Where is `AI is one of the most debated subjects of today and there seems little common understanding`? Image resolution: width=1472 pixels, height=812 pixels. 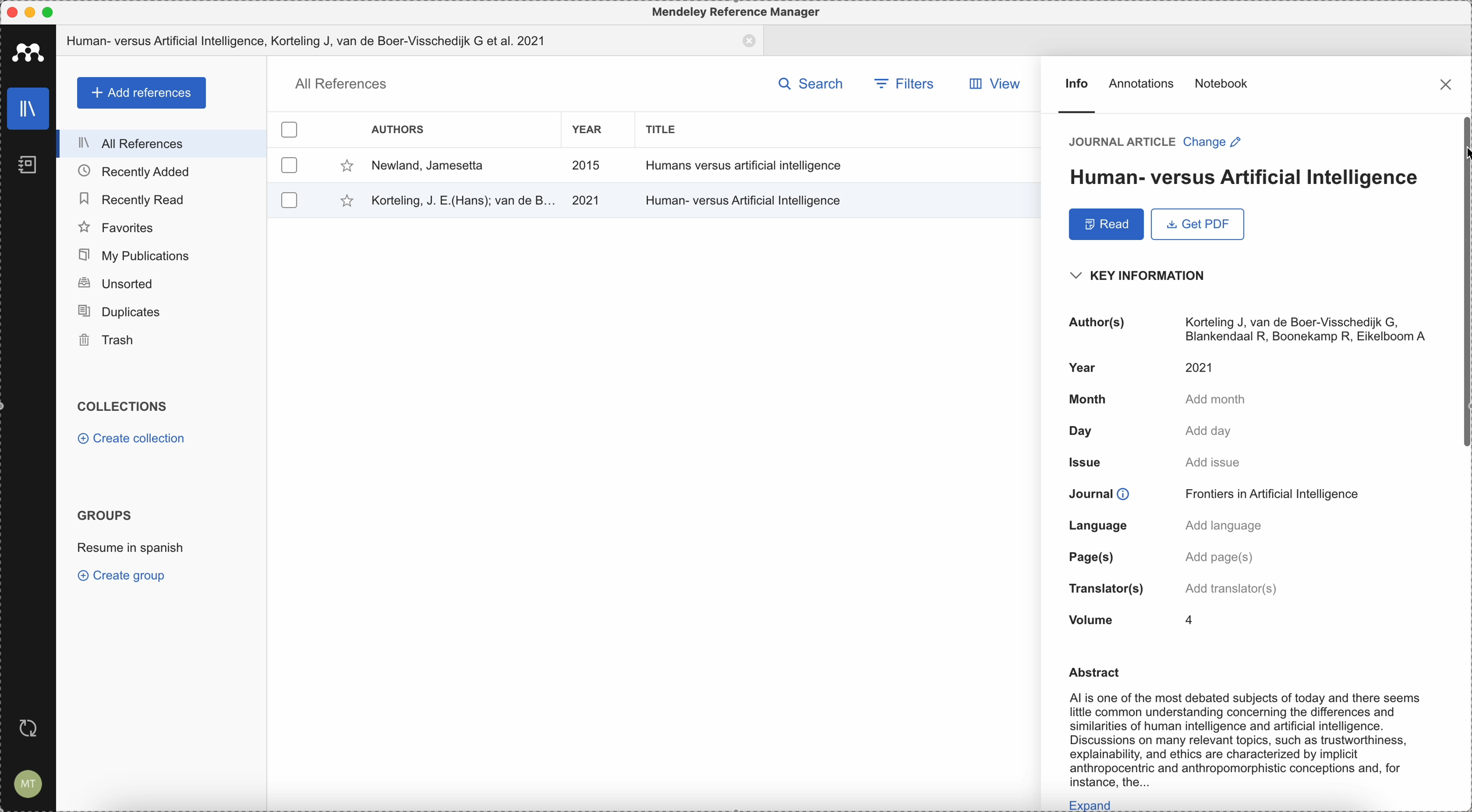 AI is one of the most debated subjects of today and there seems little common understanding is located at coordinates (1242, 739).